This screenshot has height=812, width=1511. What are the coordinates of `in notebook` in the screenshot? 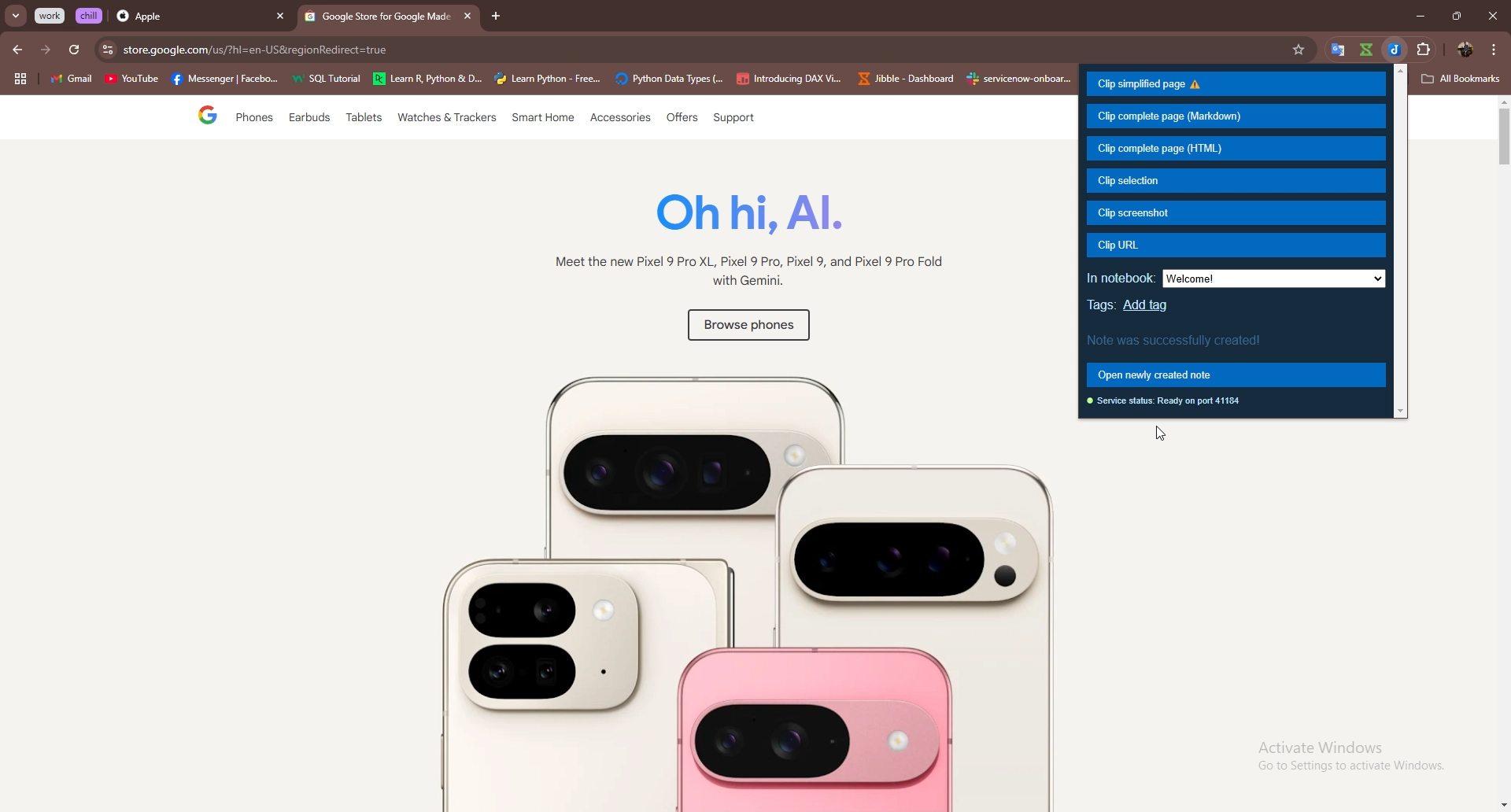 It's located at (1121, 278).